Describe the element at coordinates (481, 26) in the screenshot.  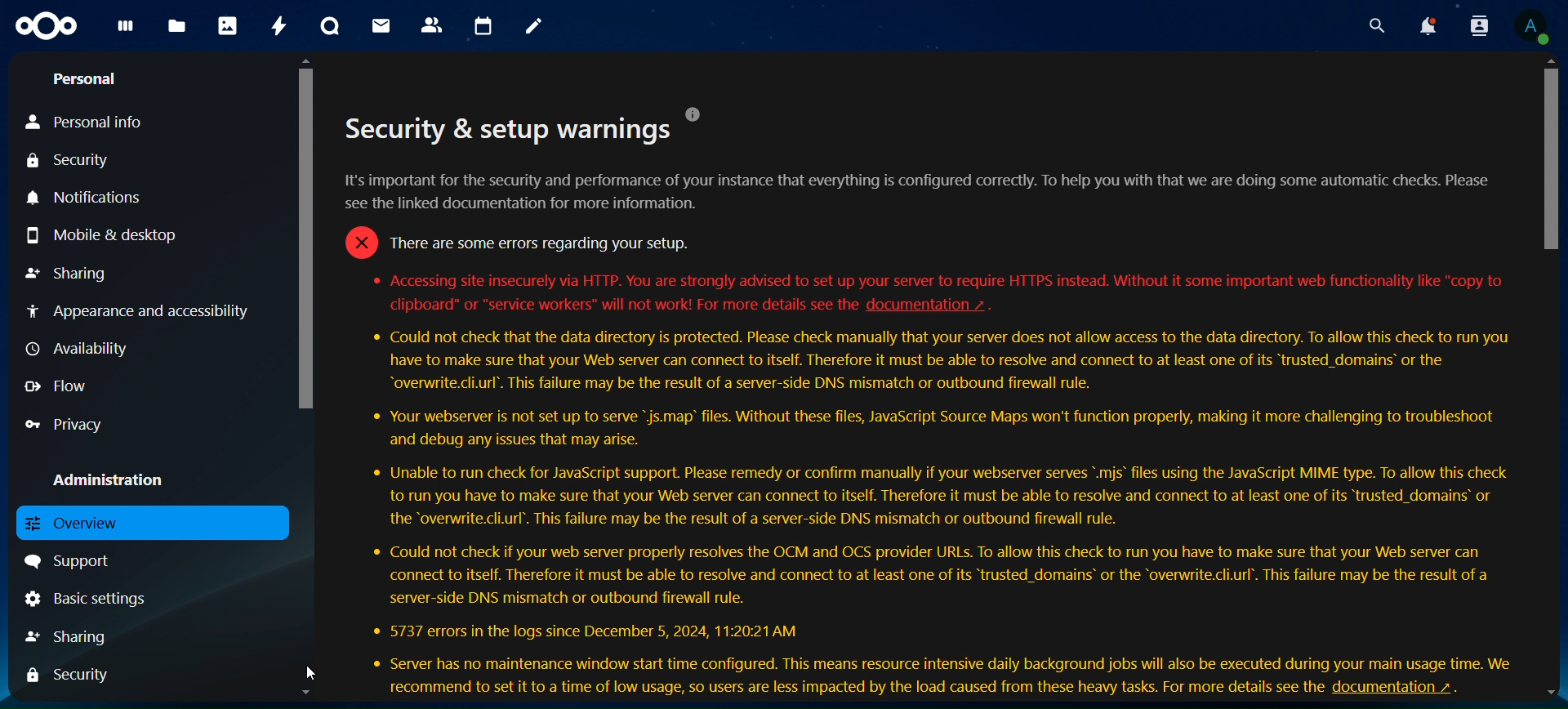
I see `calendar` at that location.